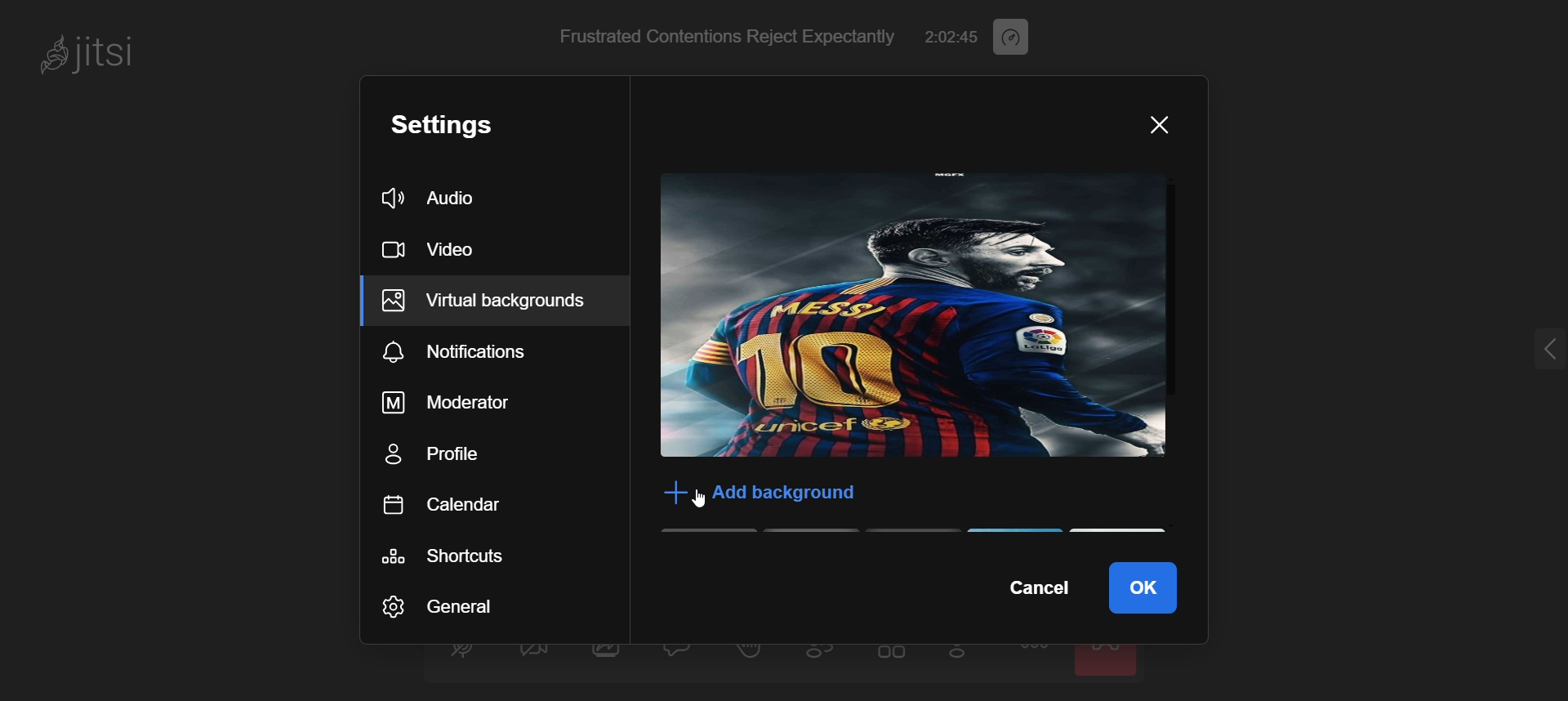  Describe the element at coordinates (751, 492) in the screenshot. I see `add background` at that location.